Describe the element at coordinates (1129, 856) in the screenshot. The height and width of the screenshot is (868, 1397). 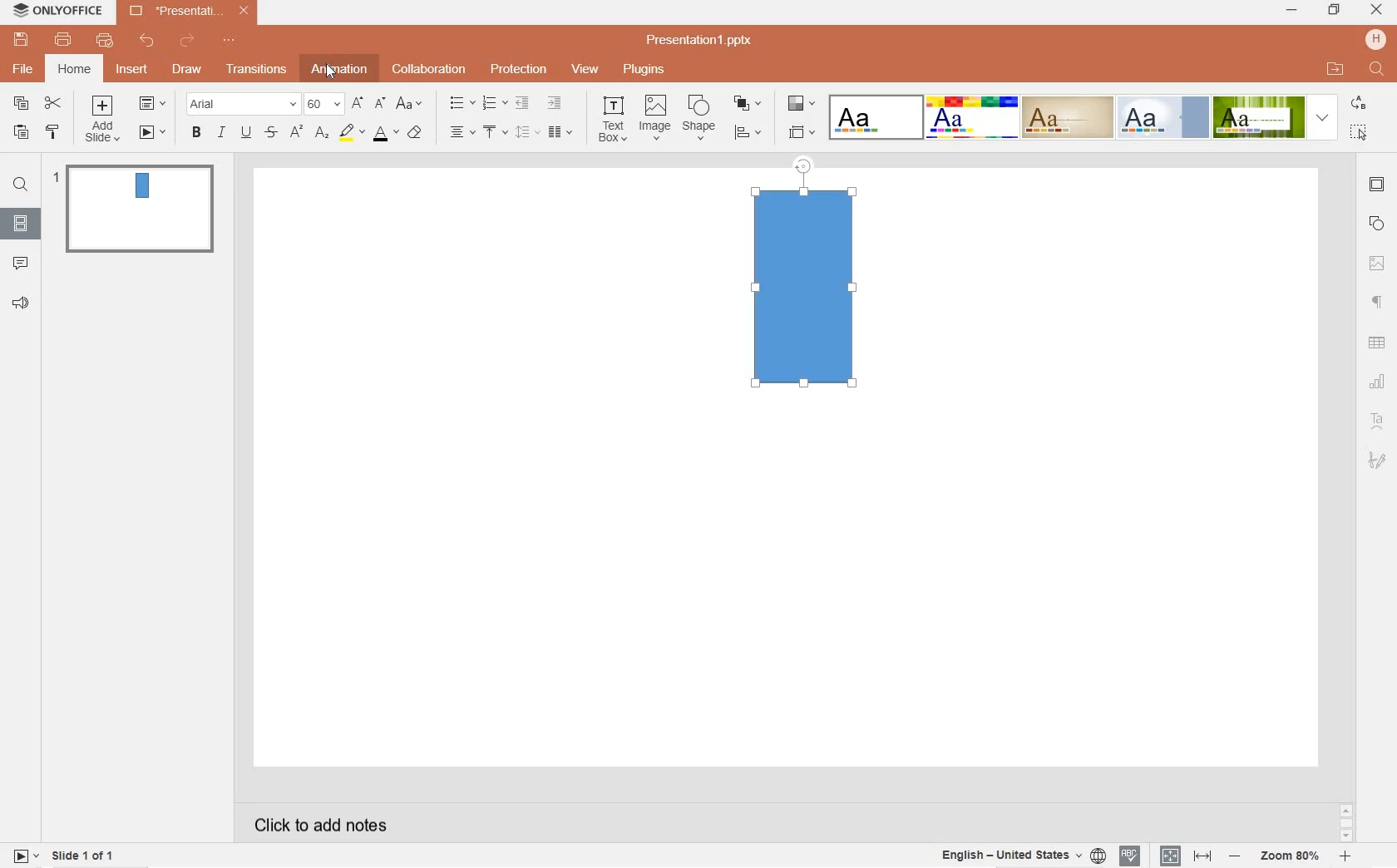
I see `spell checking` at that location.